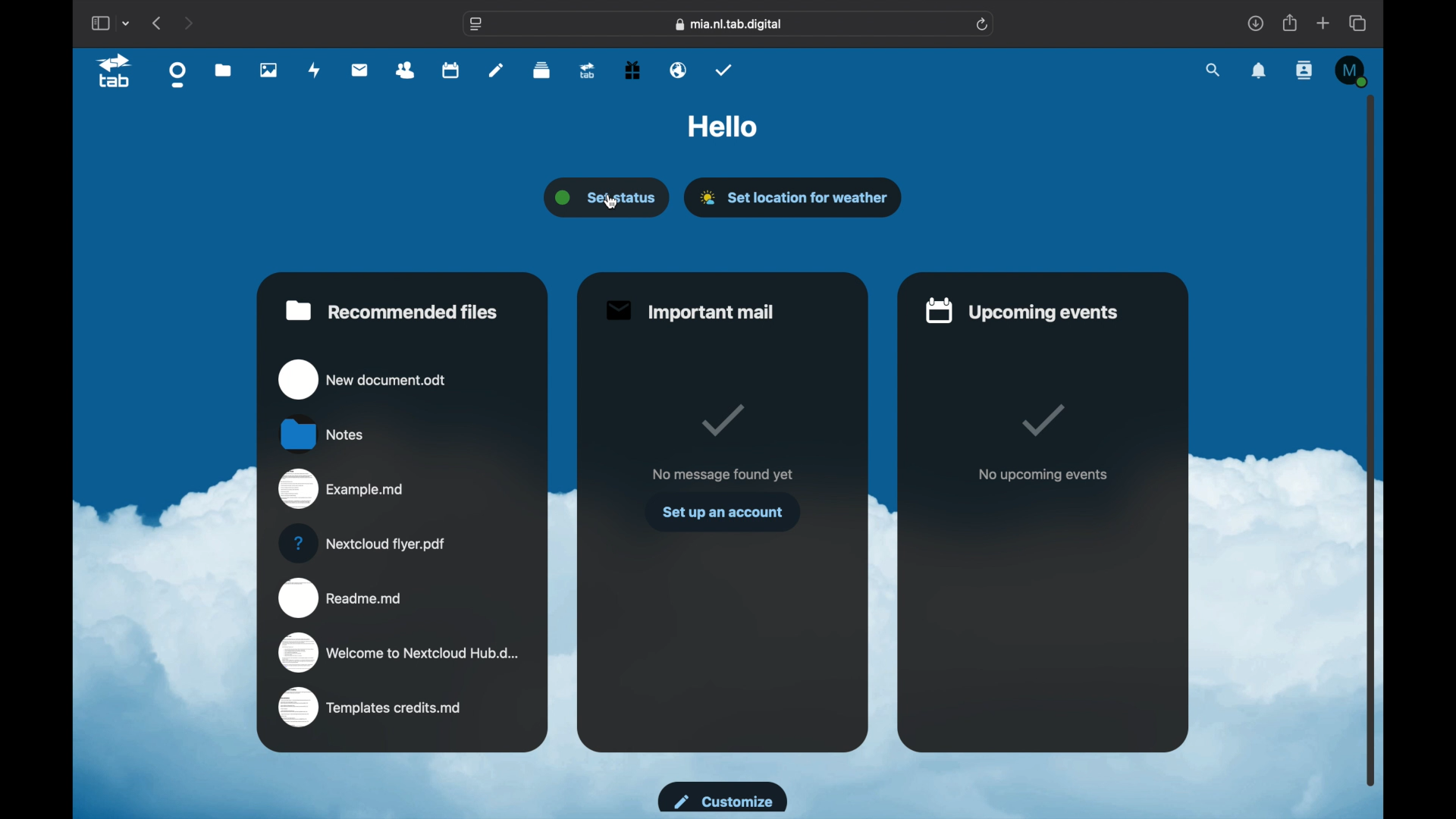 The image size is (1456, 819). I want to click on photos, so click(268, 70).